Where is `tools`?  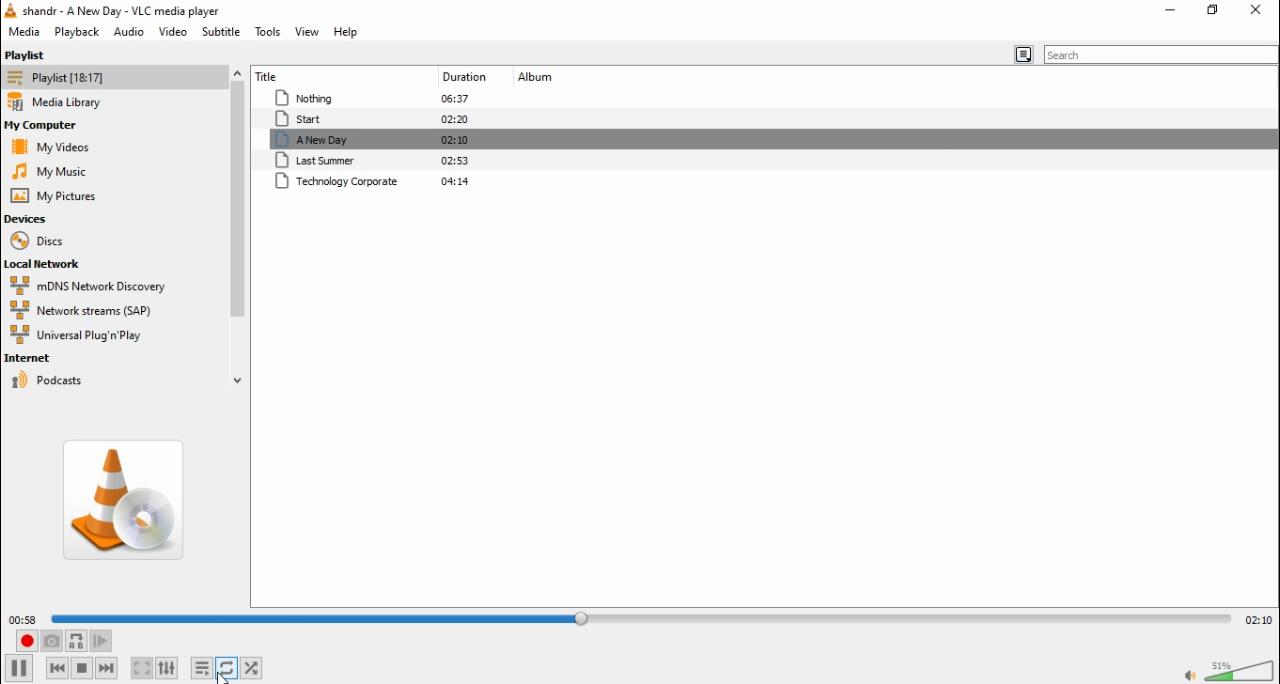 tools is located at coordinates (267, 31).